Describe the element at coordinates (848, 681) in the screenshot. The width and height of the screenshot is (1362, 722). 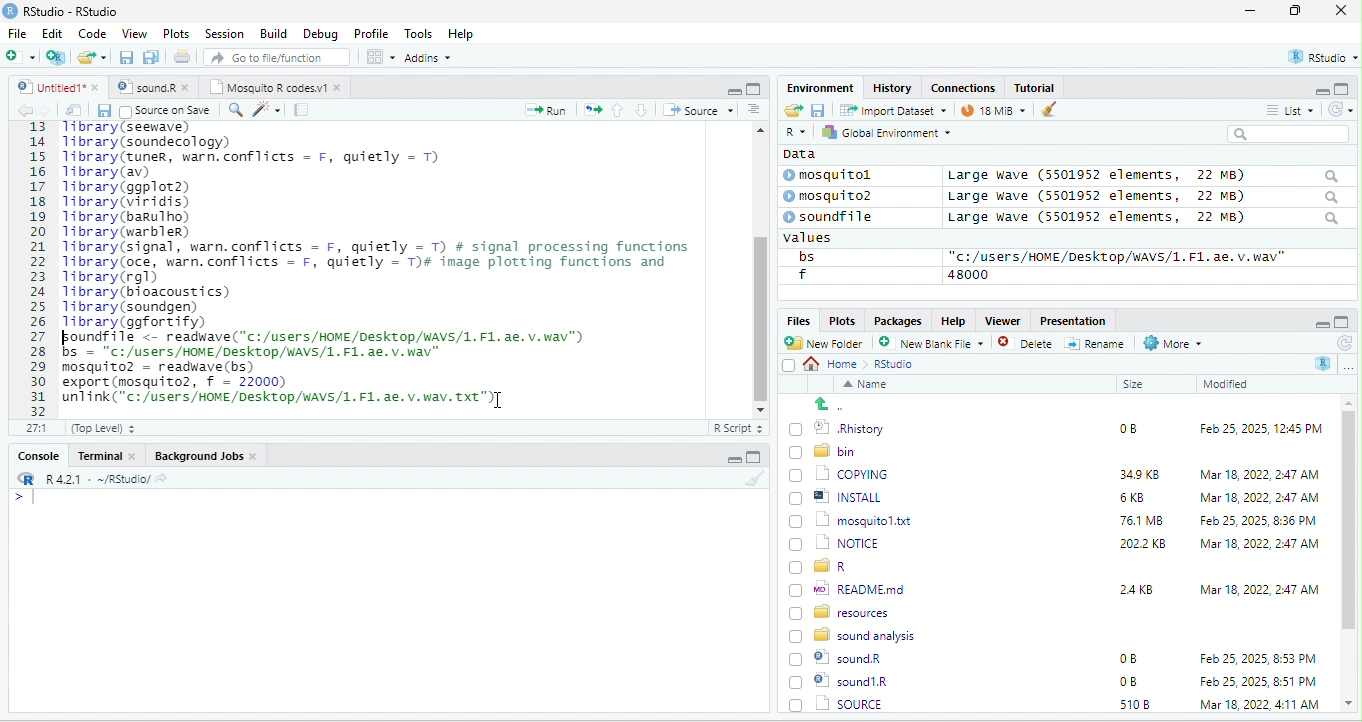
I see `| SOURCE` at that location.